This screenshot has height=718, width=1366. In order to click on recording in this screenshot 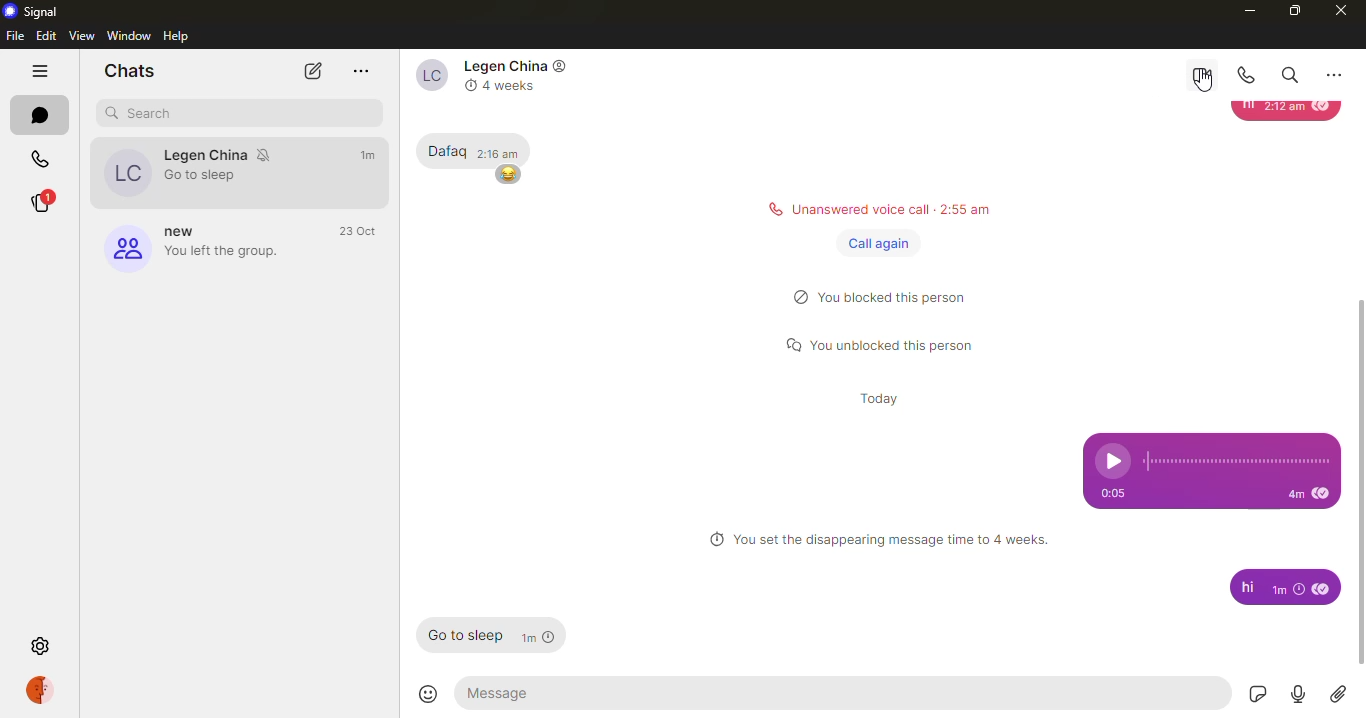, I will do `click(1242, 460)`.